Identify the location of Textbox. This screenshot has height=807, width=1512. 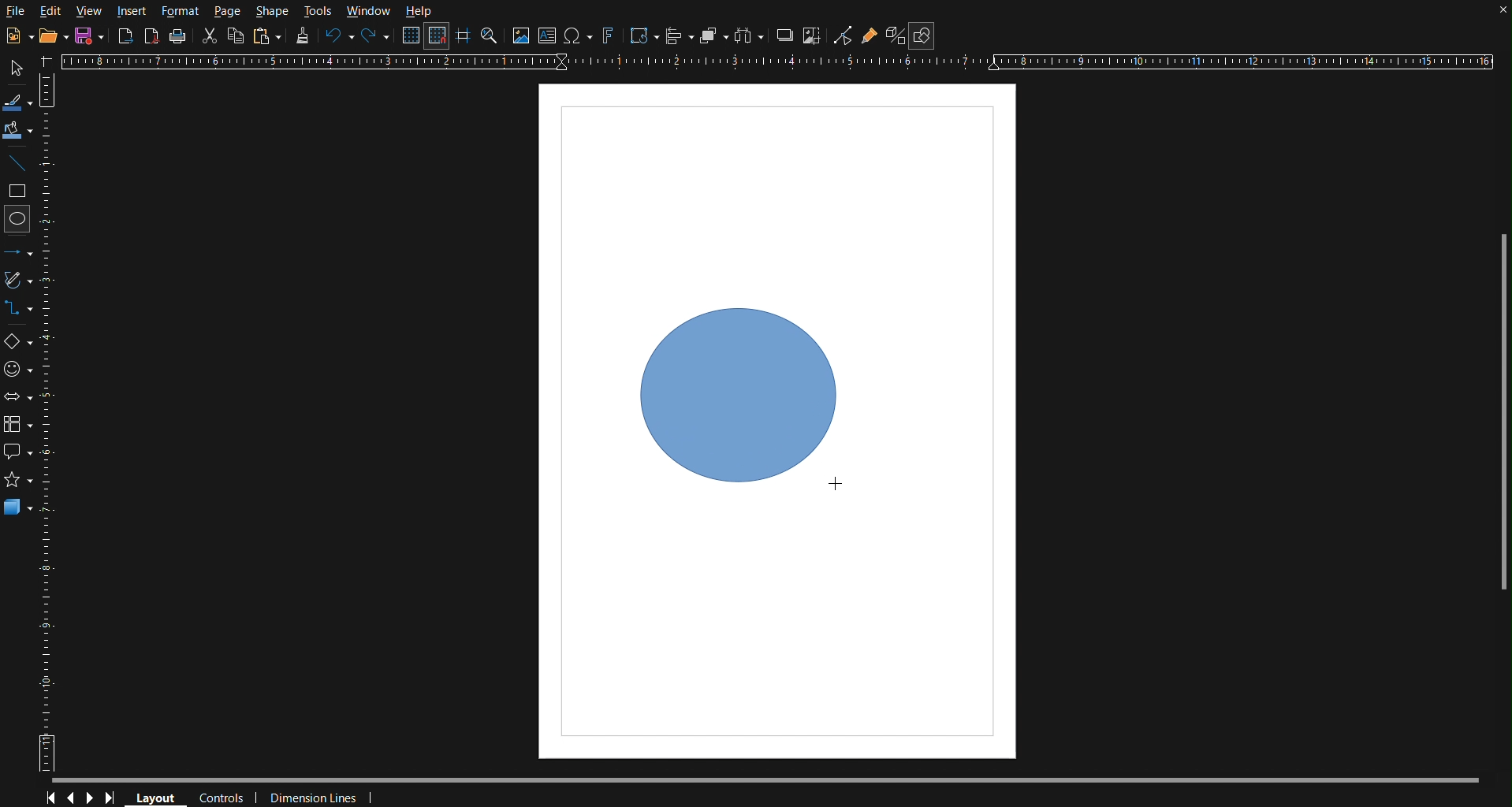
(549, 35).